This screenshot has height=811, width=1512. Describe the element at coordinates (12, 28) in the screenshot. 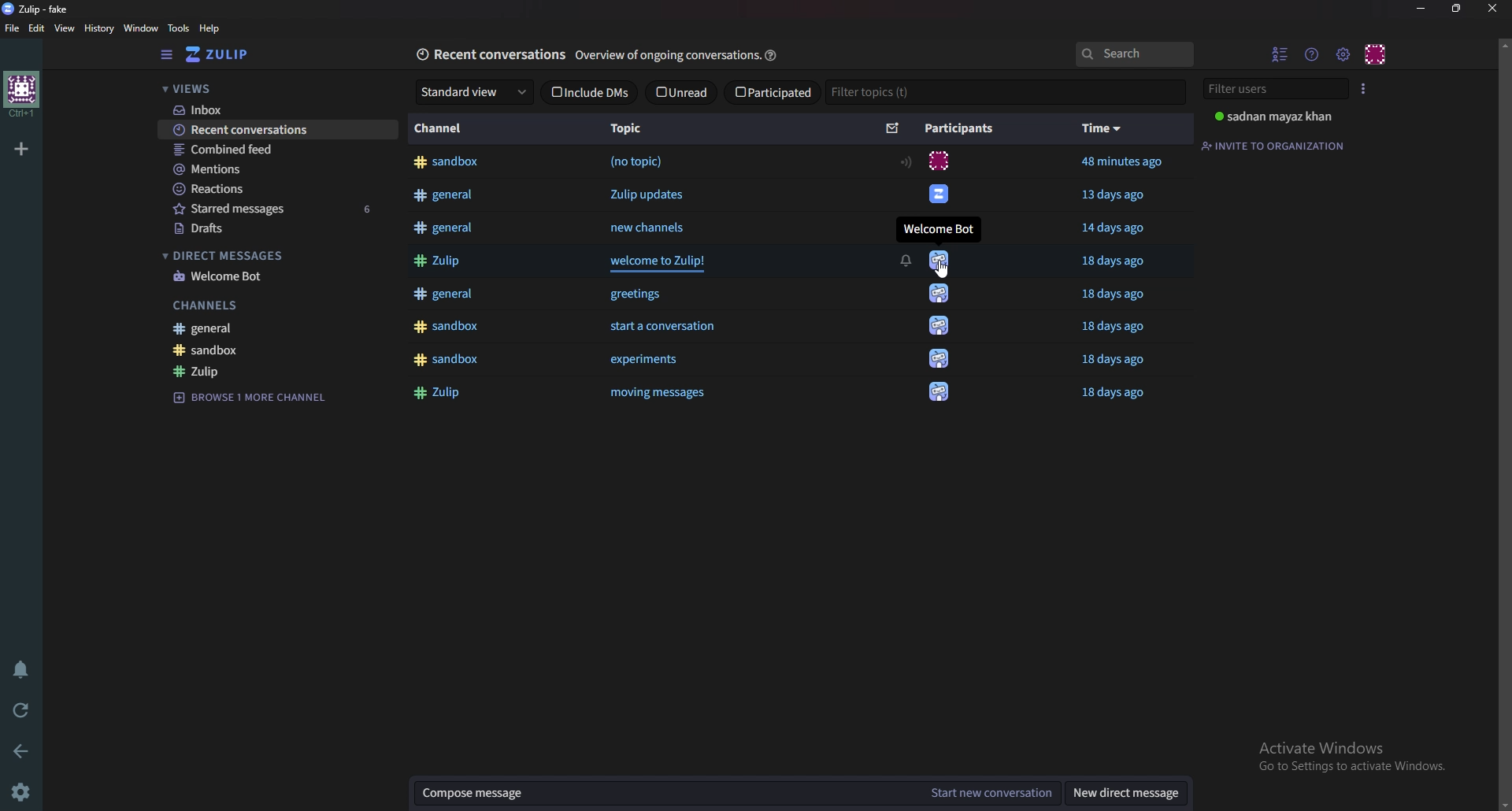

I see `File` at that location.